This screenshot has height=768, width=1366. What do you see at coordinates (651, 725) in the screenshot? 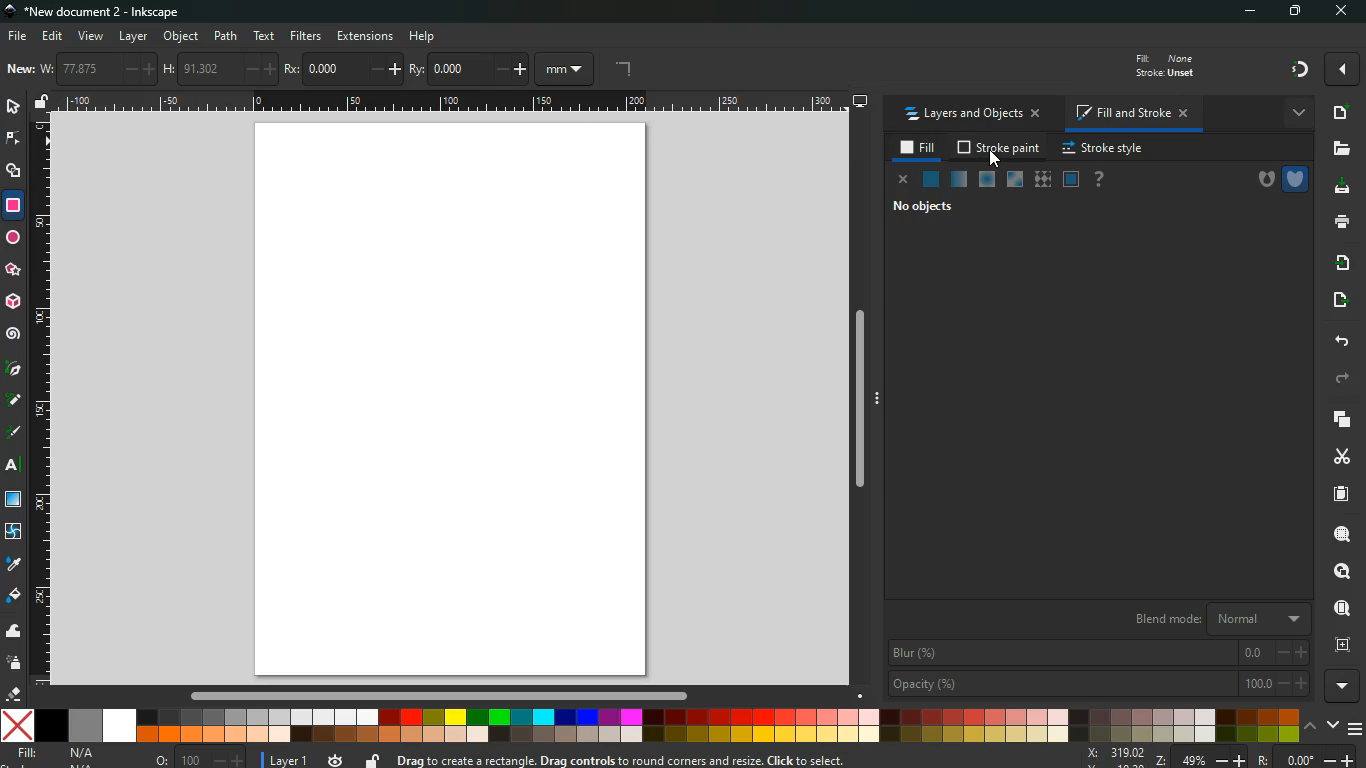
I see `color` at bounding box center [651, 725].